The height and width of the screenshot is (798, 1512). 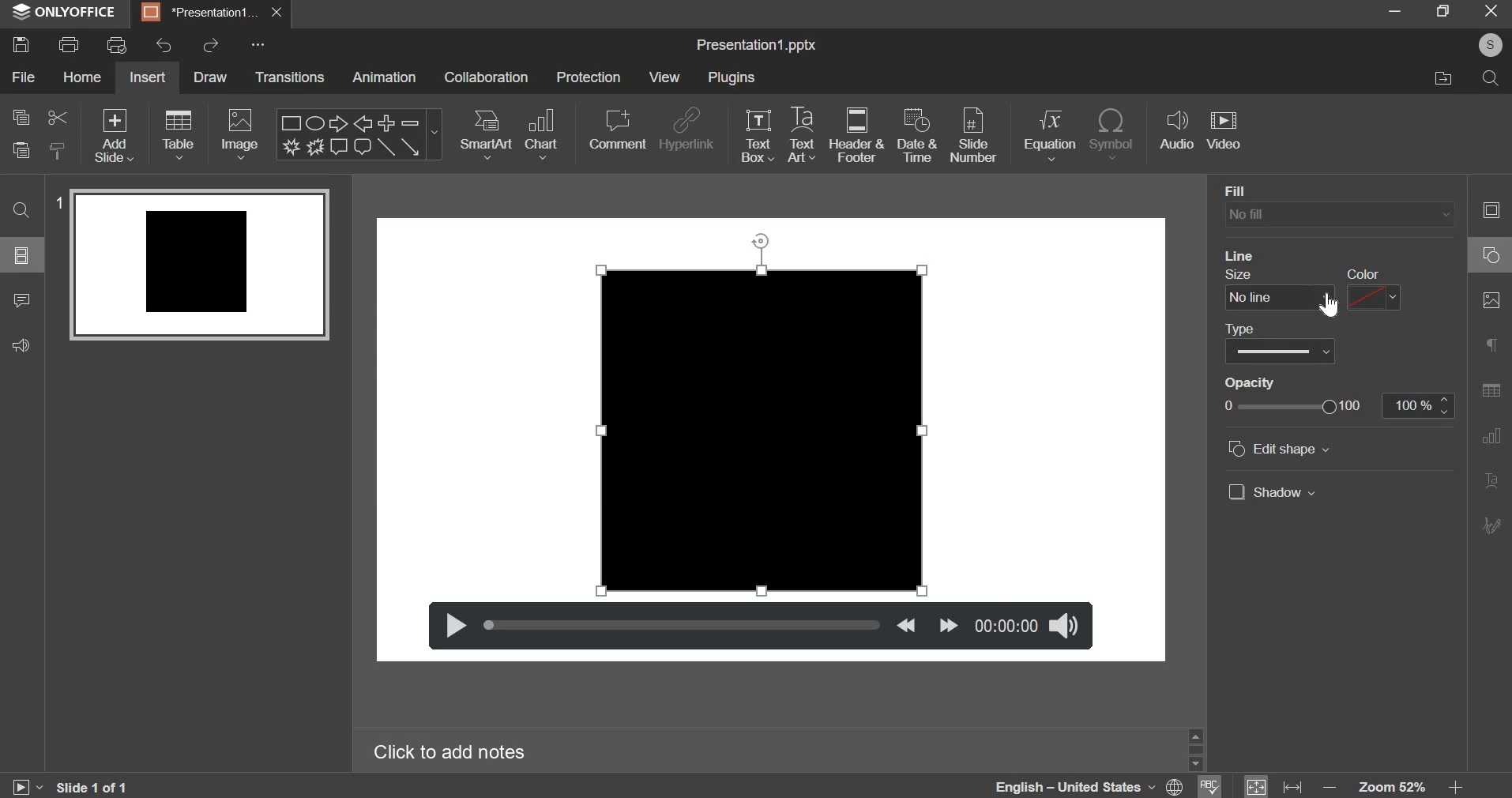 I want to click on edit shape, so click(x=1276, y=450).